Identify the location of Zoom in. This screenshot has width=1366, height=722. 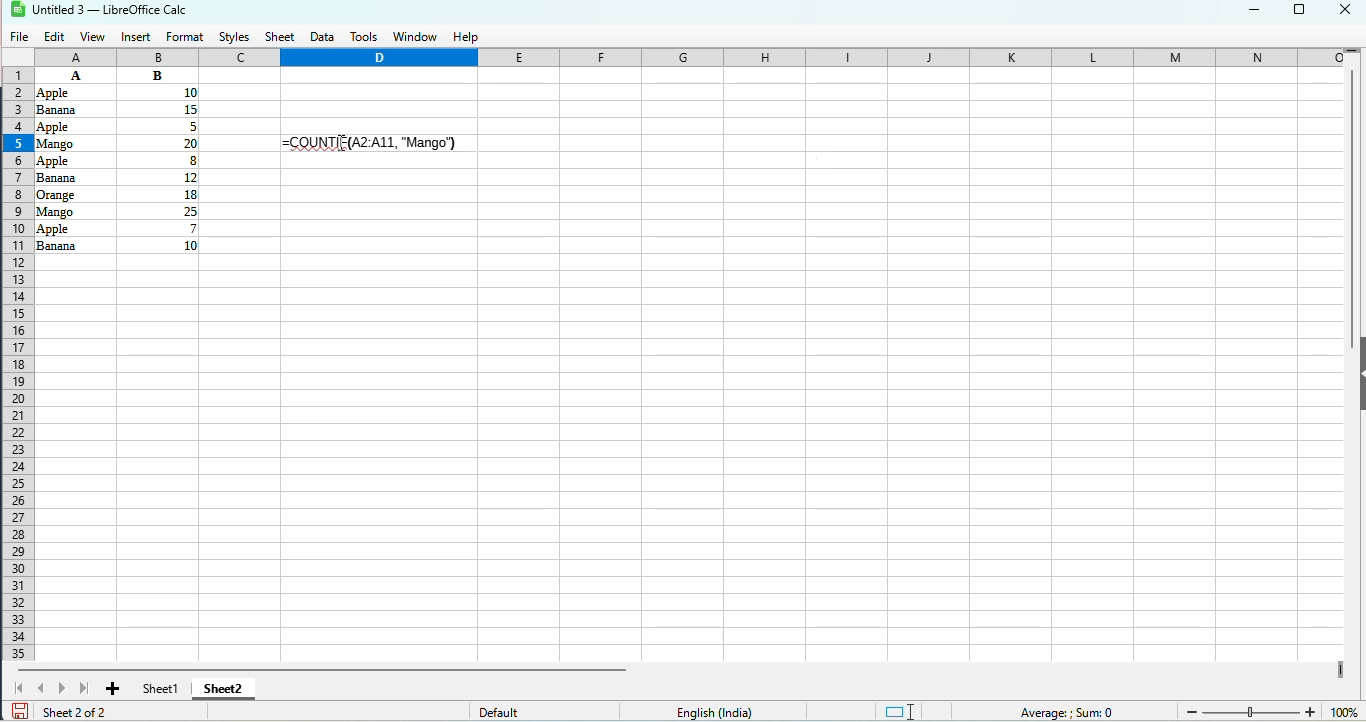
(1309, 710).